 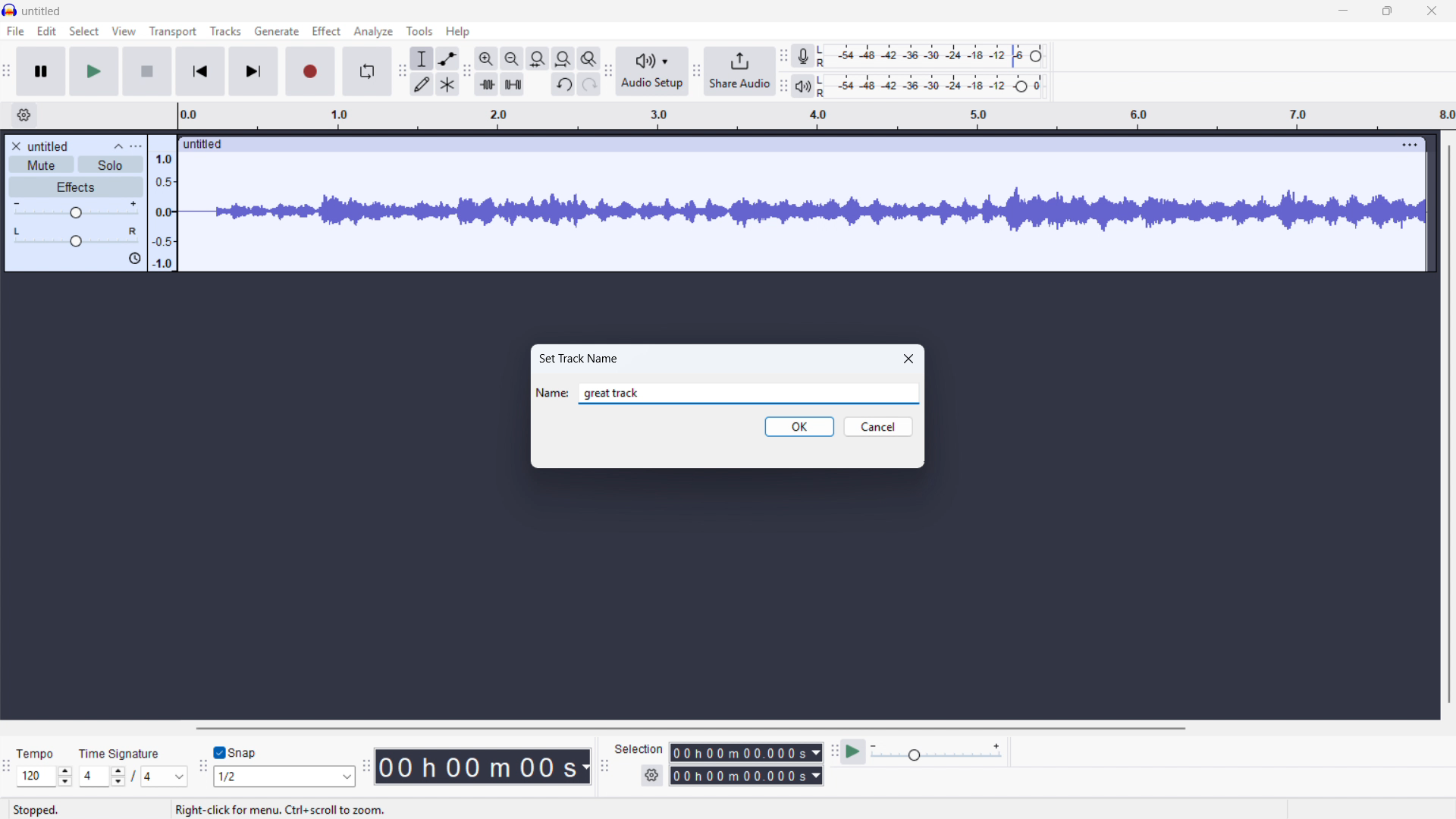 What do you see at coordinates (552, 393) in the screenshot?
I see `name` at bounding box center [552, 393].